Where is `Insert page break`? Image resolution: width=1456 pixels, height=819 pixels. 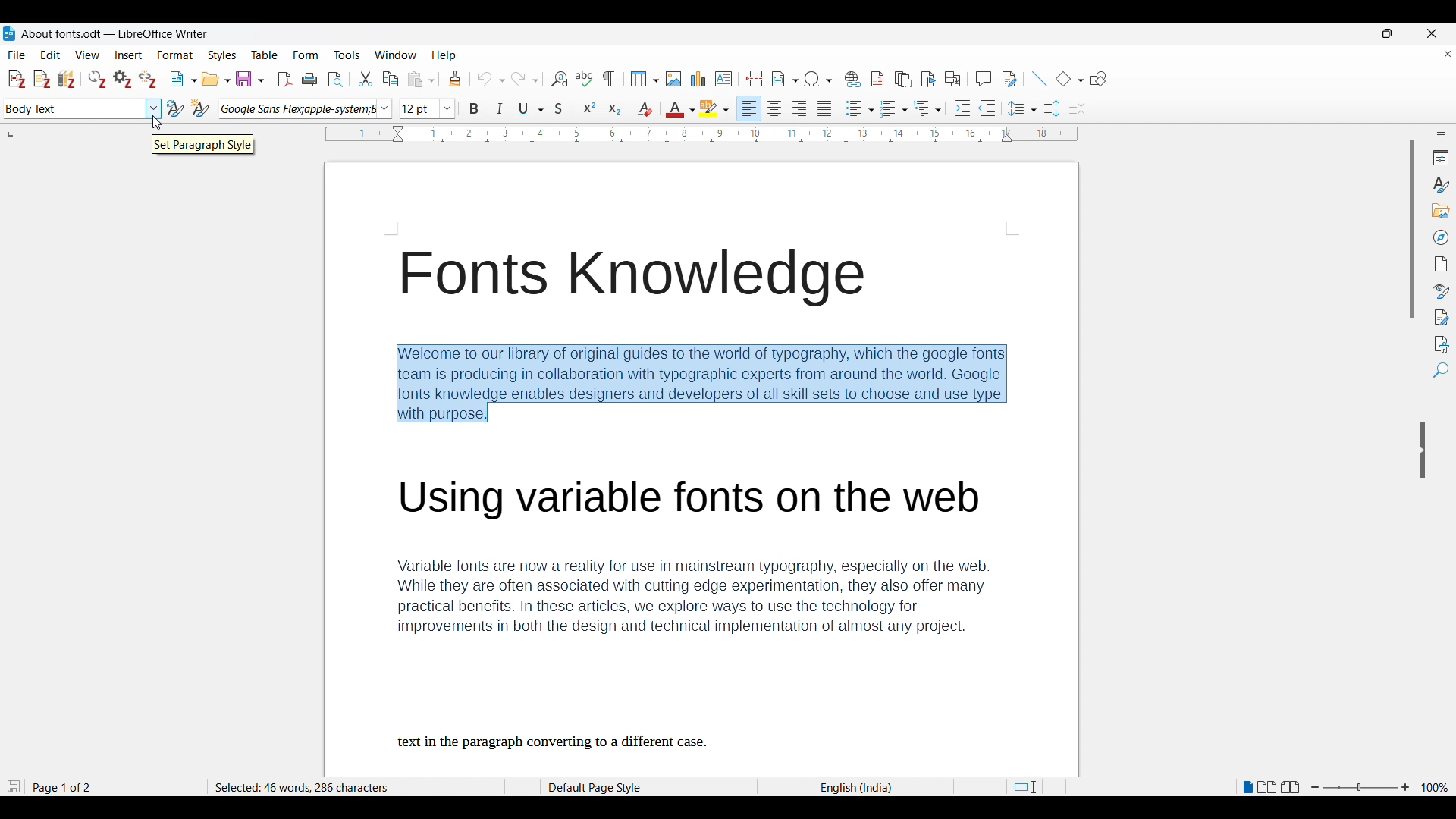 Insert page break is located at coordinates (755, 79).